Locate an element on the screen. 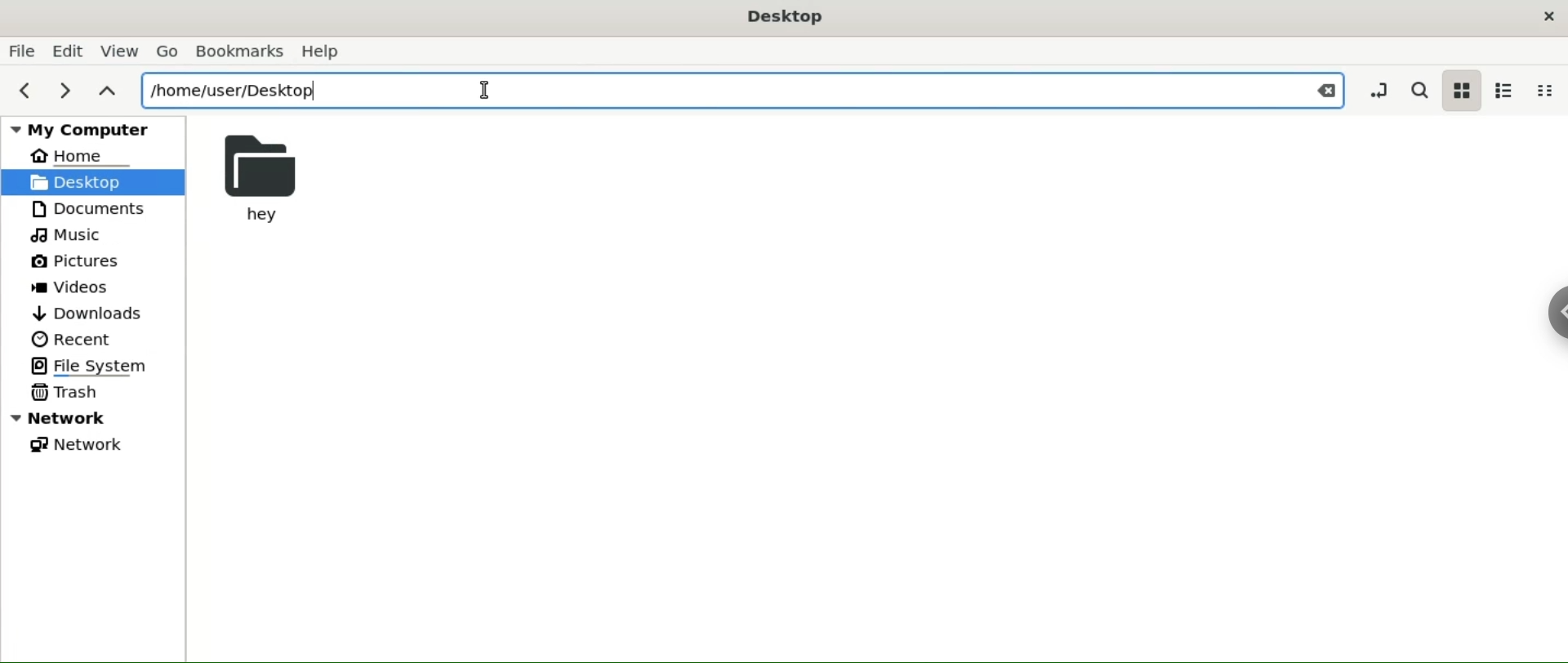 The image size is (1568, 663). home is located at coordinates (80, 155).